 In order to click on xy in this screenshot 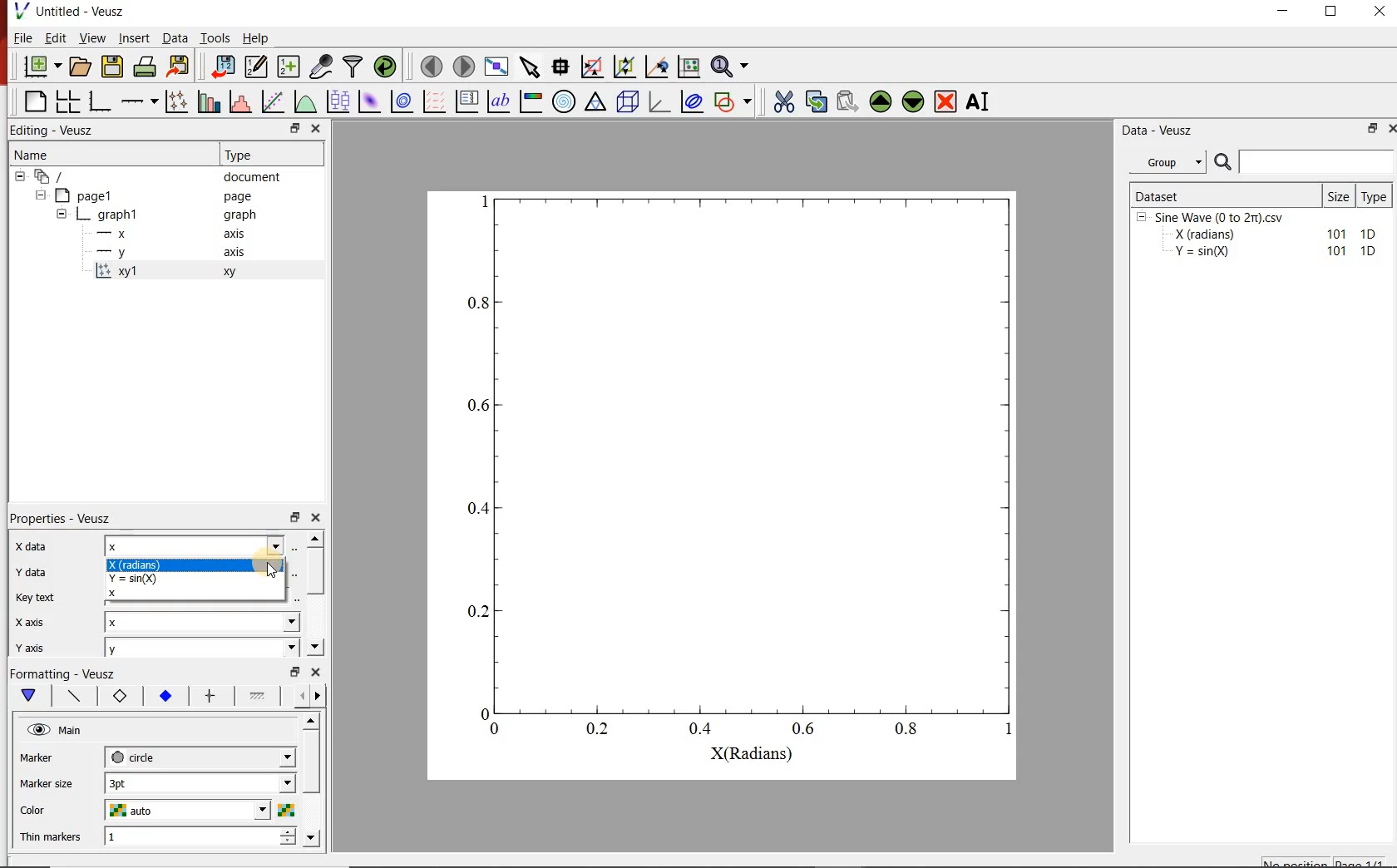, I will do `click(226, 272)`.